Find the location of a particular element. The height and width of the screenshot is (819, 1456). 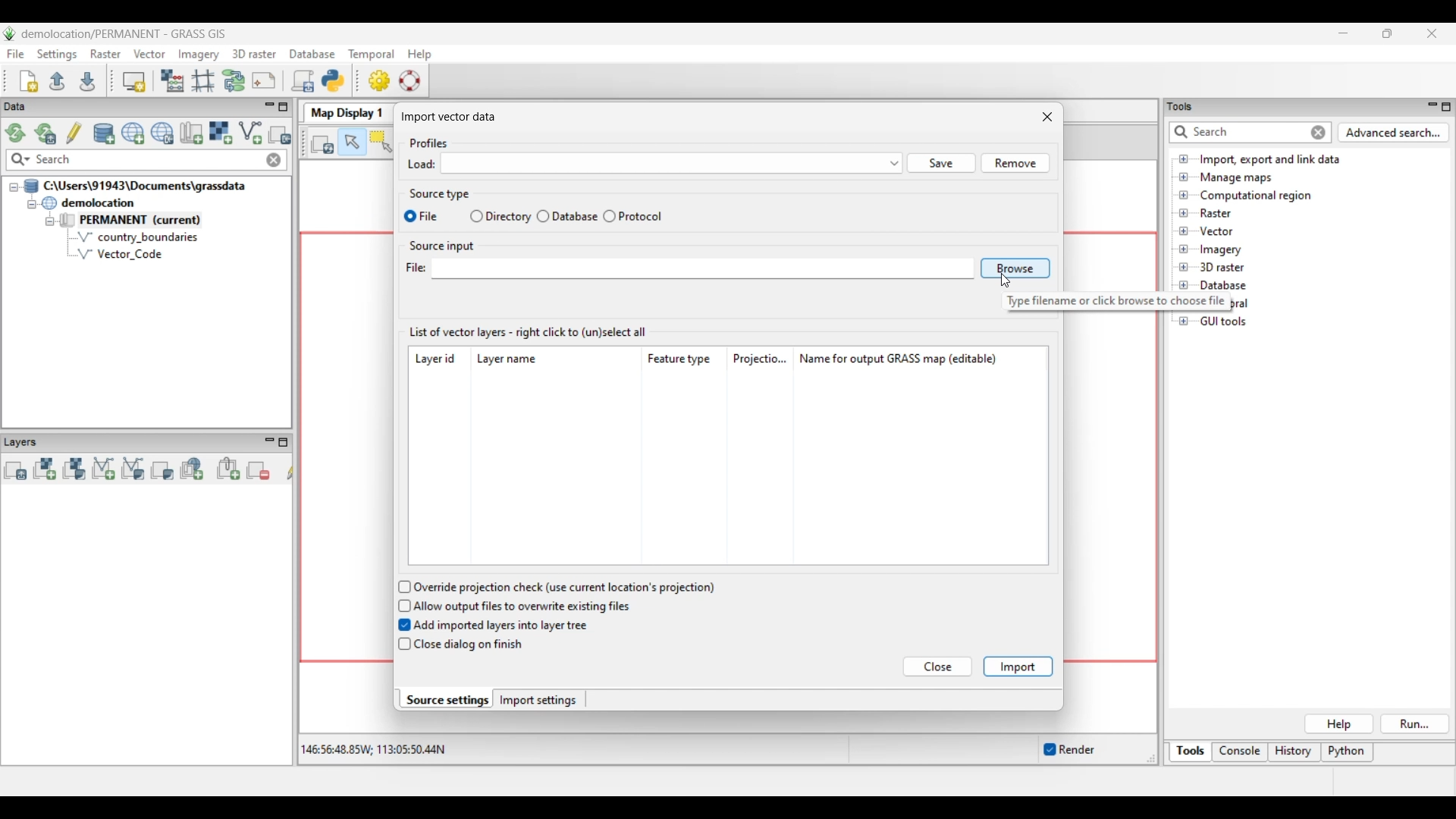

Create new project (location) to current GRASS database is located at coordinates (133, 133).